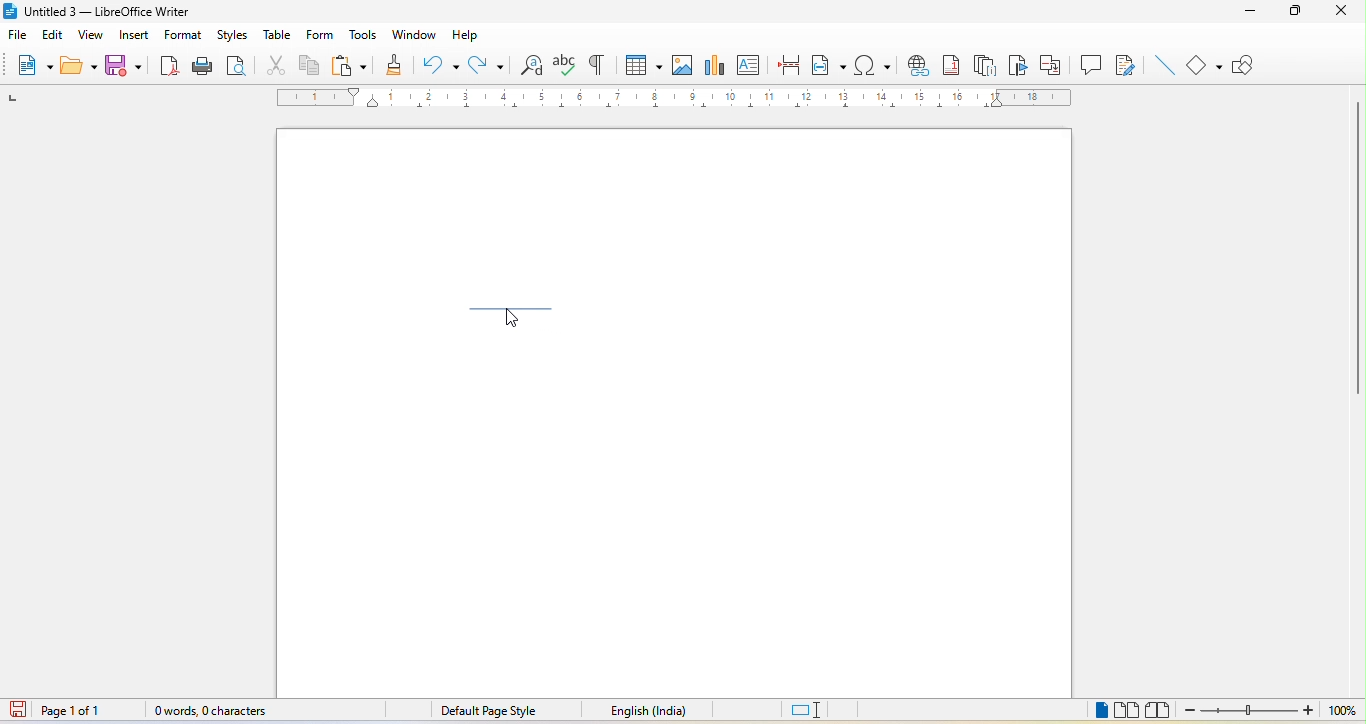 The width and height of the screenshot is (1366, 724). What do you see at coordinates (188, 36) in the screenshot?
I see `format` at bounding box center [188, 36].